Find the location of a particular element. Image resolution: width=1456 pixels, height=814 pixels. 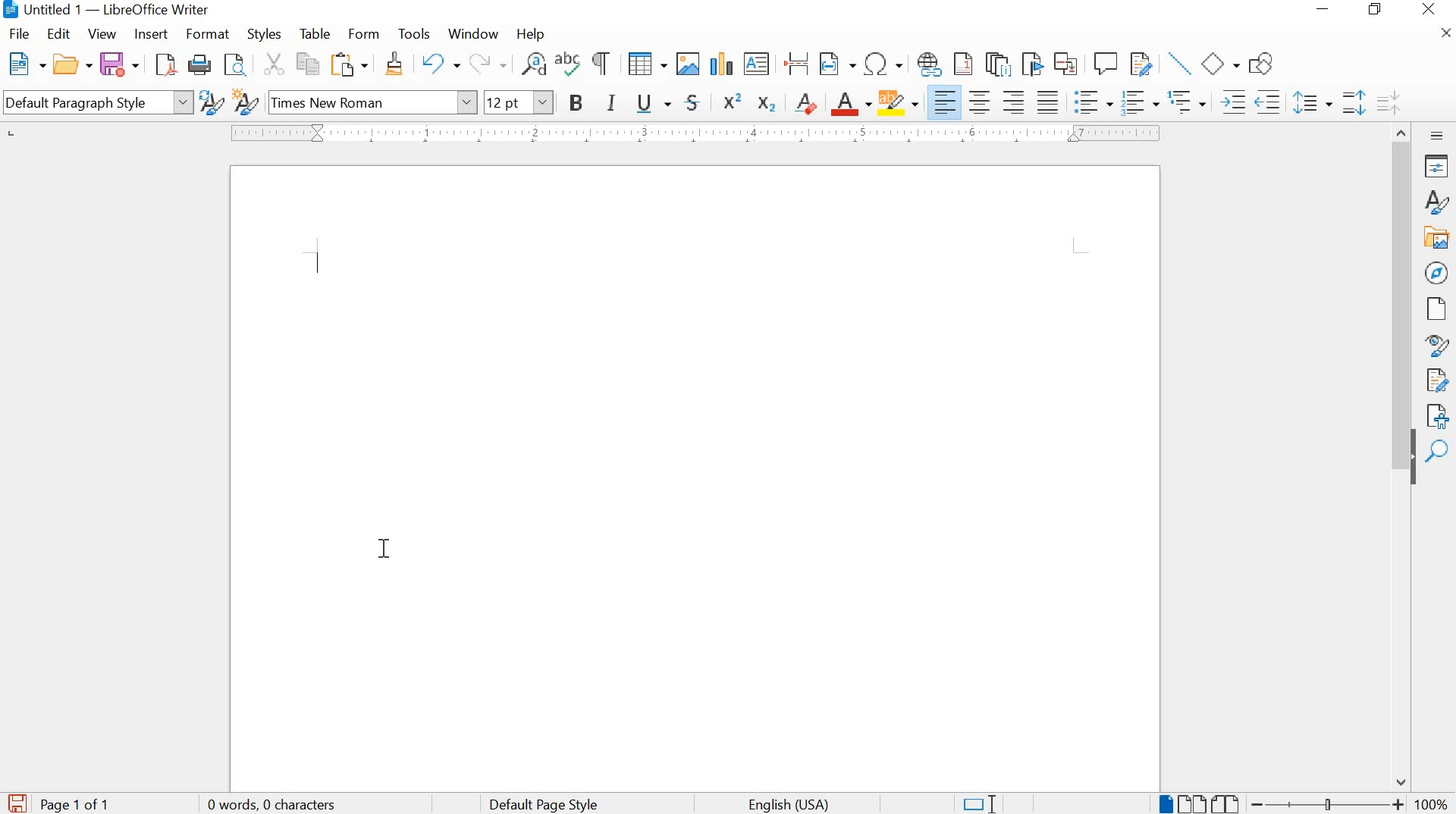

INCREASE PARAGRAPH SPACING is located at coordinates (1354, 101).